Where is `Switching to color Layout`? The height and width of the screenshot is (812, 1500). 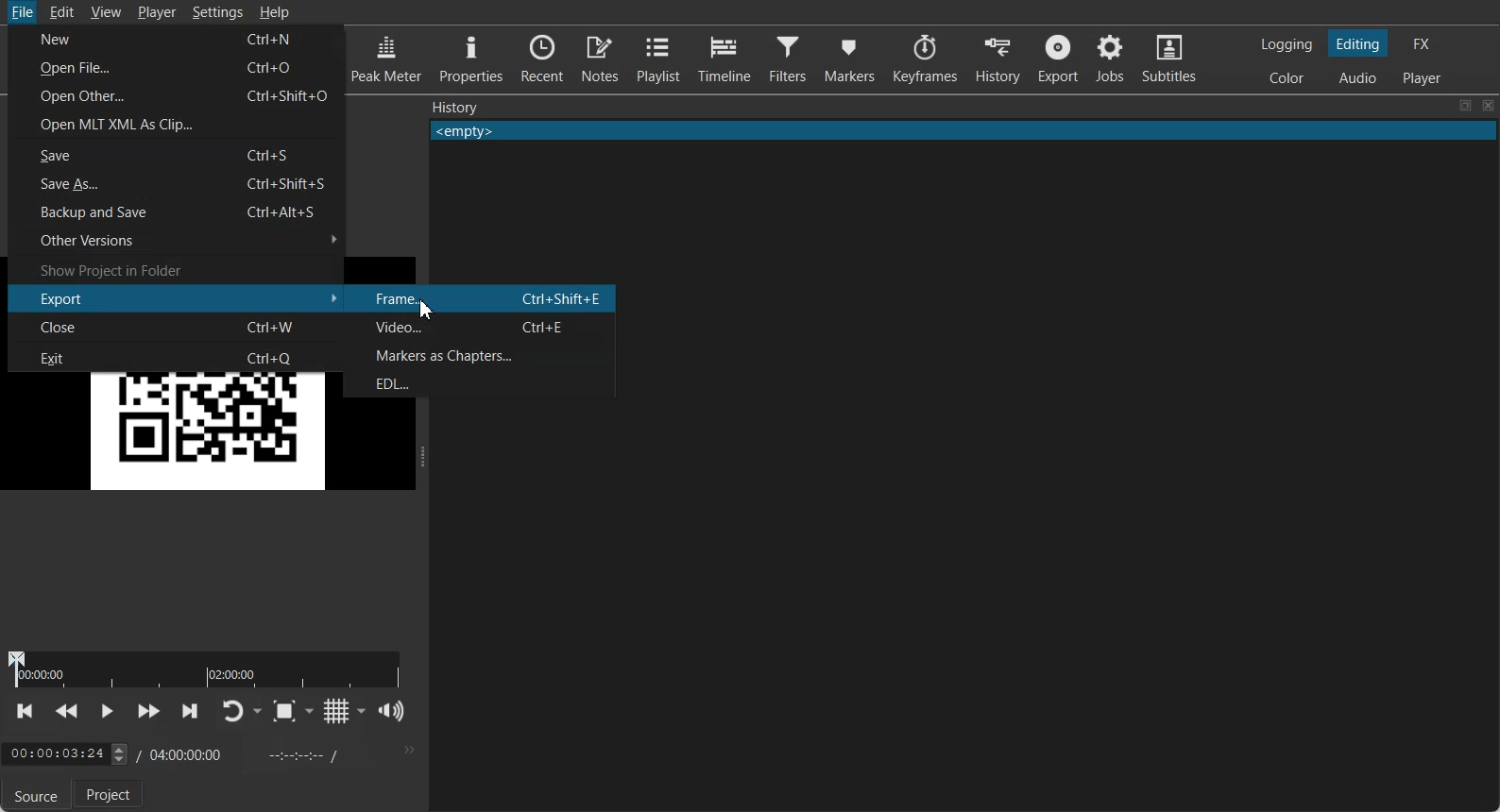 Switching to color Layout is located at coordinates (1287, 78).